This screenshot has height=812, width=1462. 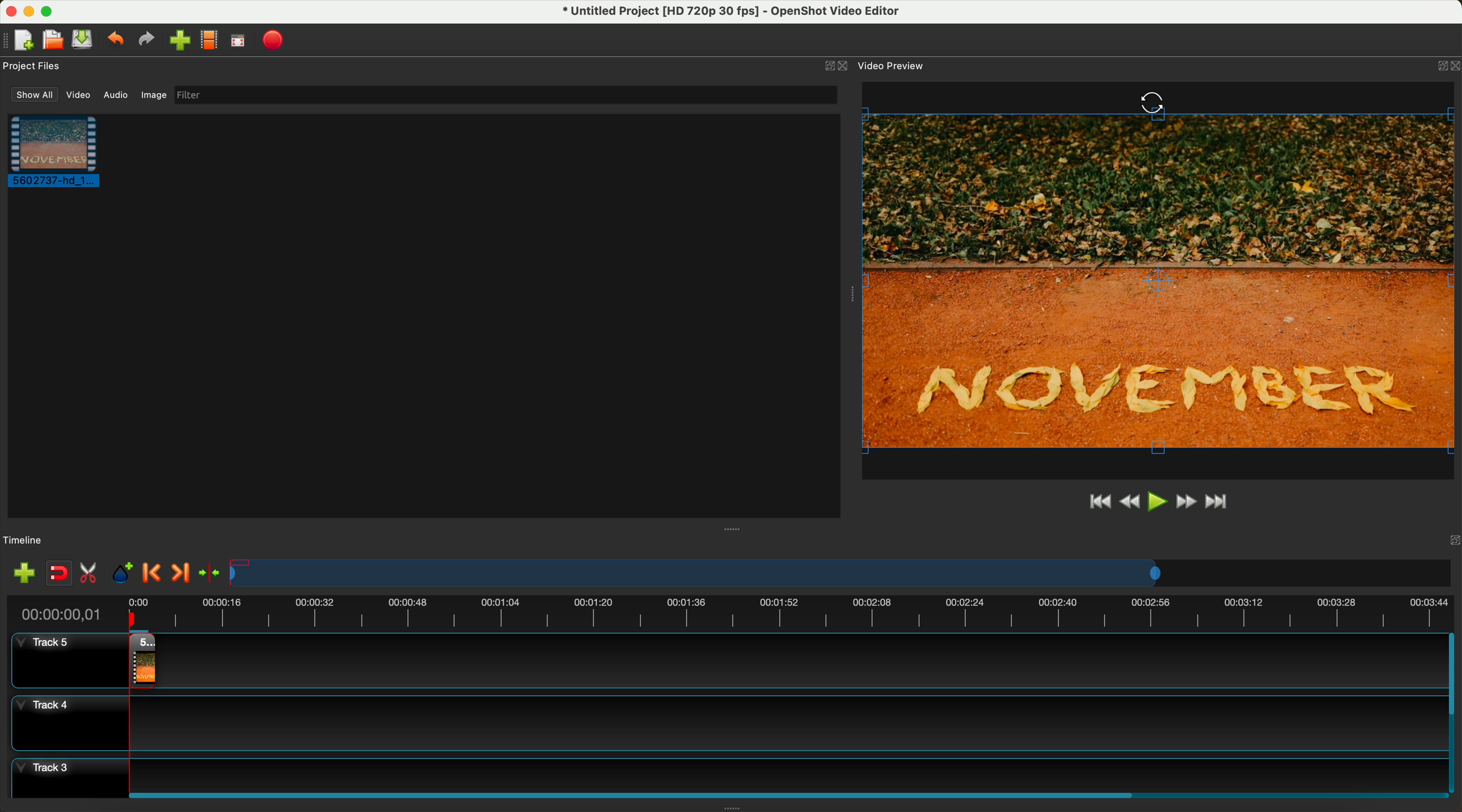 What do you see at coordinates (83, 39) in the screenshot?
I see `save project` at bounding box center [83, 39].